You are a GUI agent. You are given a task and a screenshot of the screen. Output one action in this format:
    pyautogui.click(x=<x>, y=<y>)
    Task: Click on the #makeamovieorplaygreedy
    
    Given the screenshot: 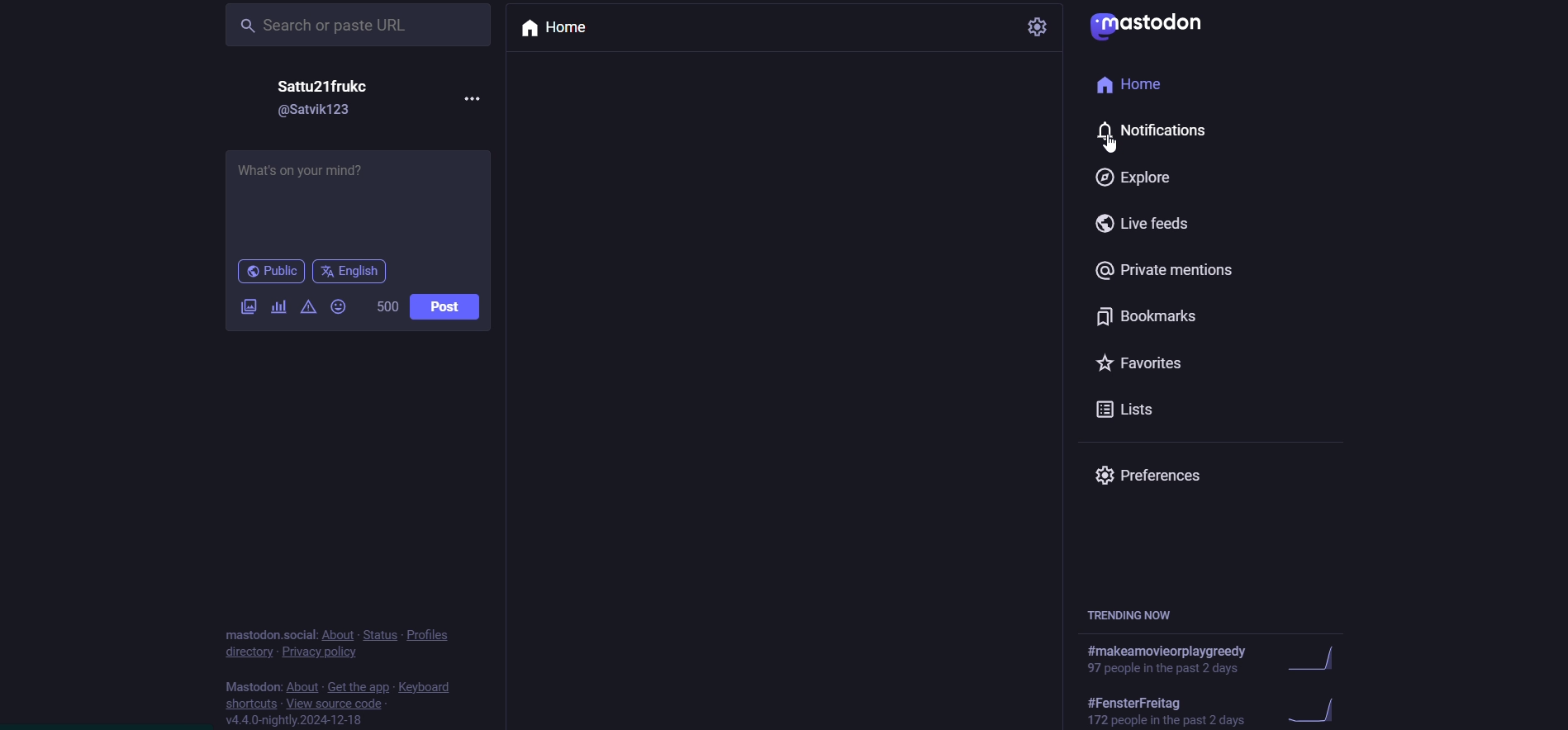 What is the action you would take?
    pyautogui.click(x=1168, y=651)
    